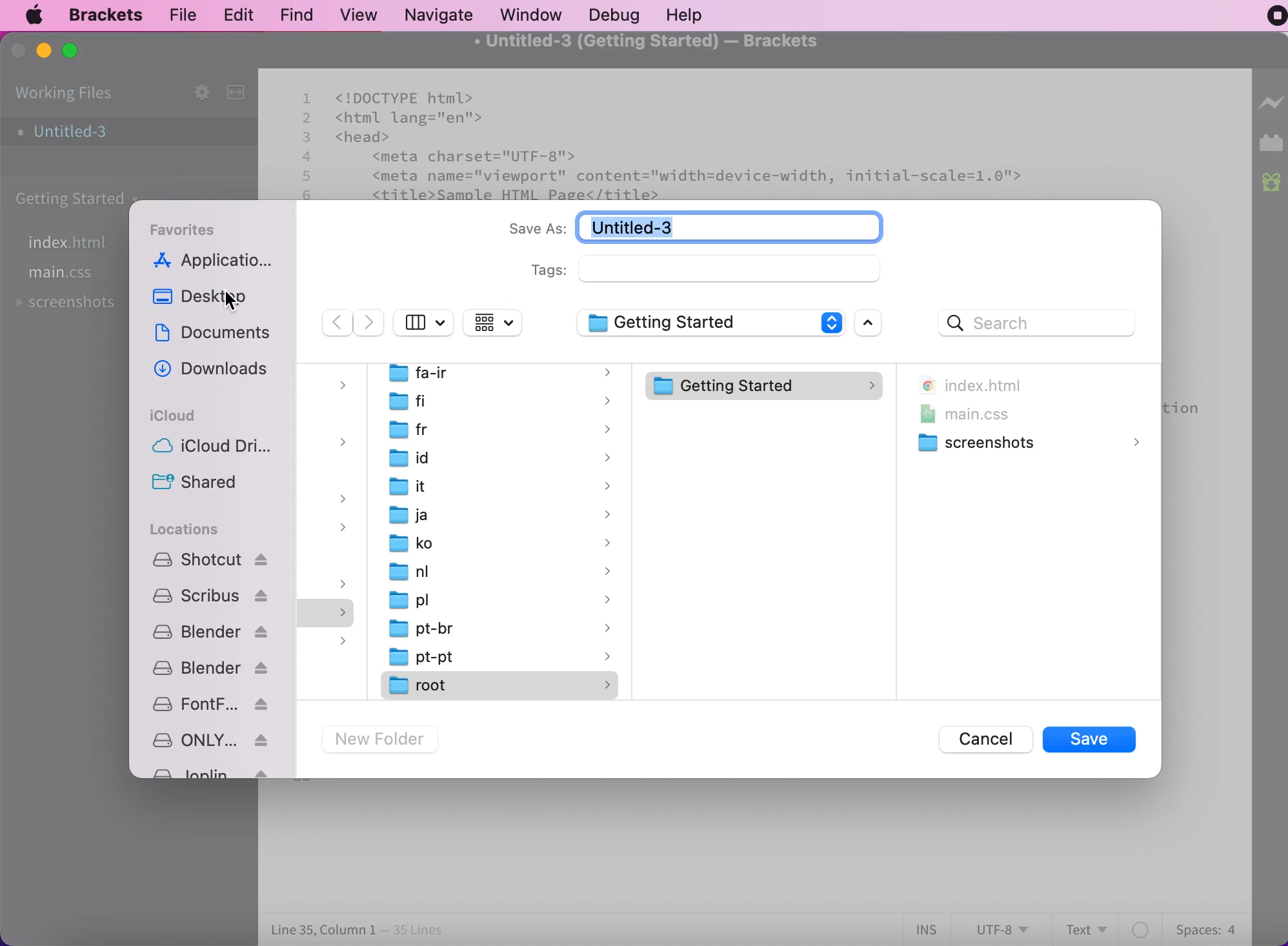 Image resolution: width=1288 pixels, height=946 pixels. What do you see at coordinates (502, 400) in the screenshot?
I see `fi` at bounding box center [502, 400].